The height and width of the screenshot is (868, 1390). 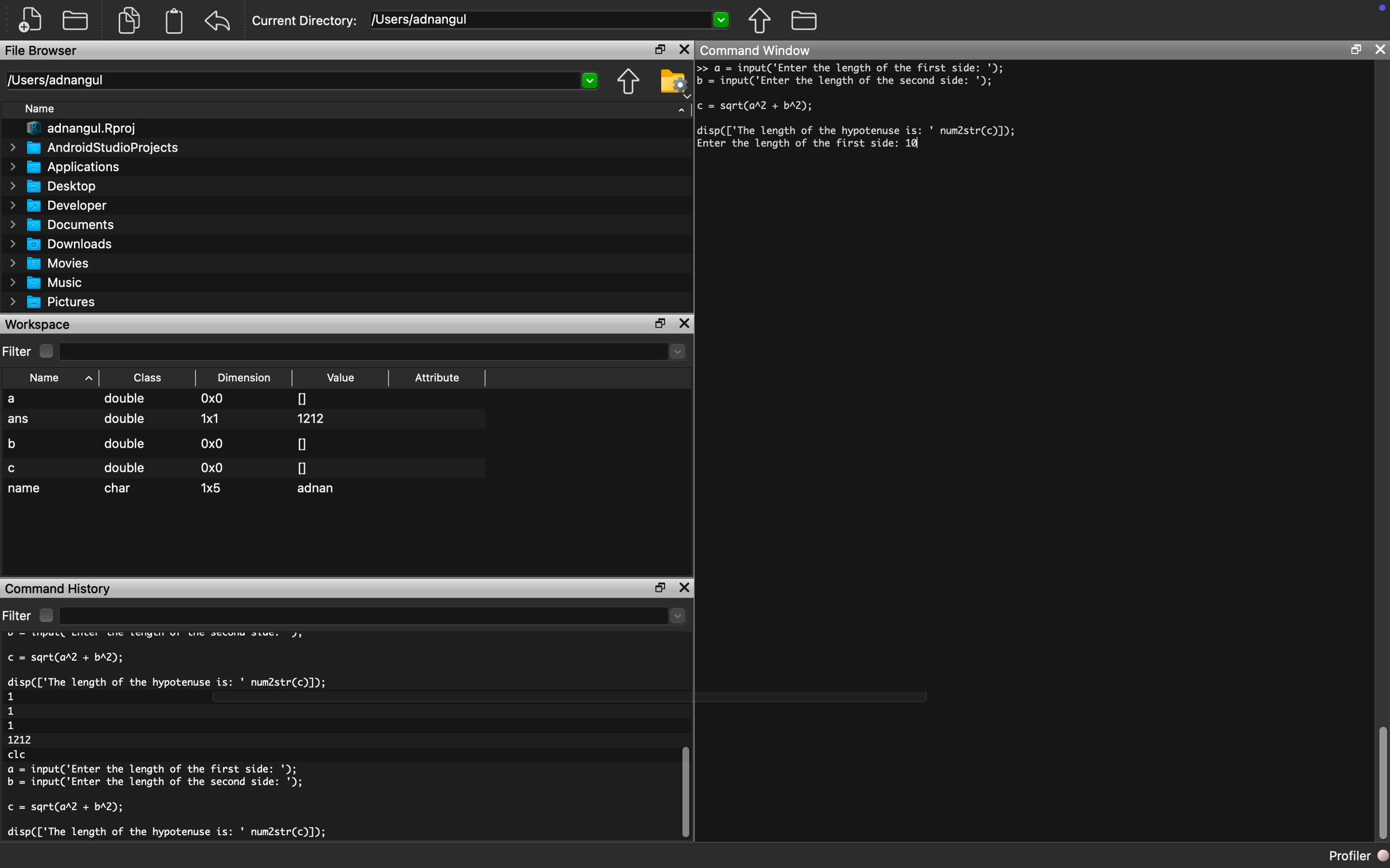 I want to click on Value, so click(x=343, y=378).